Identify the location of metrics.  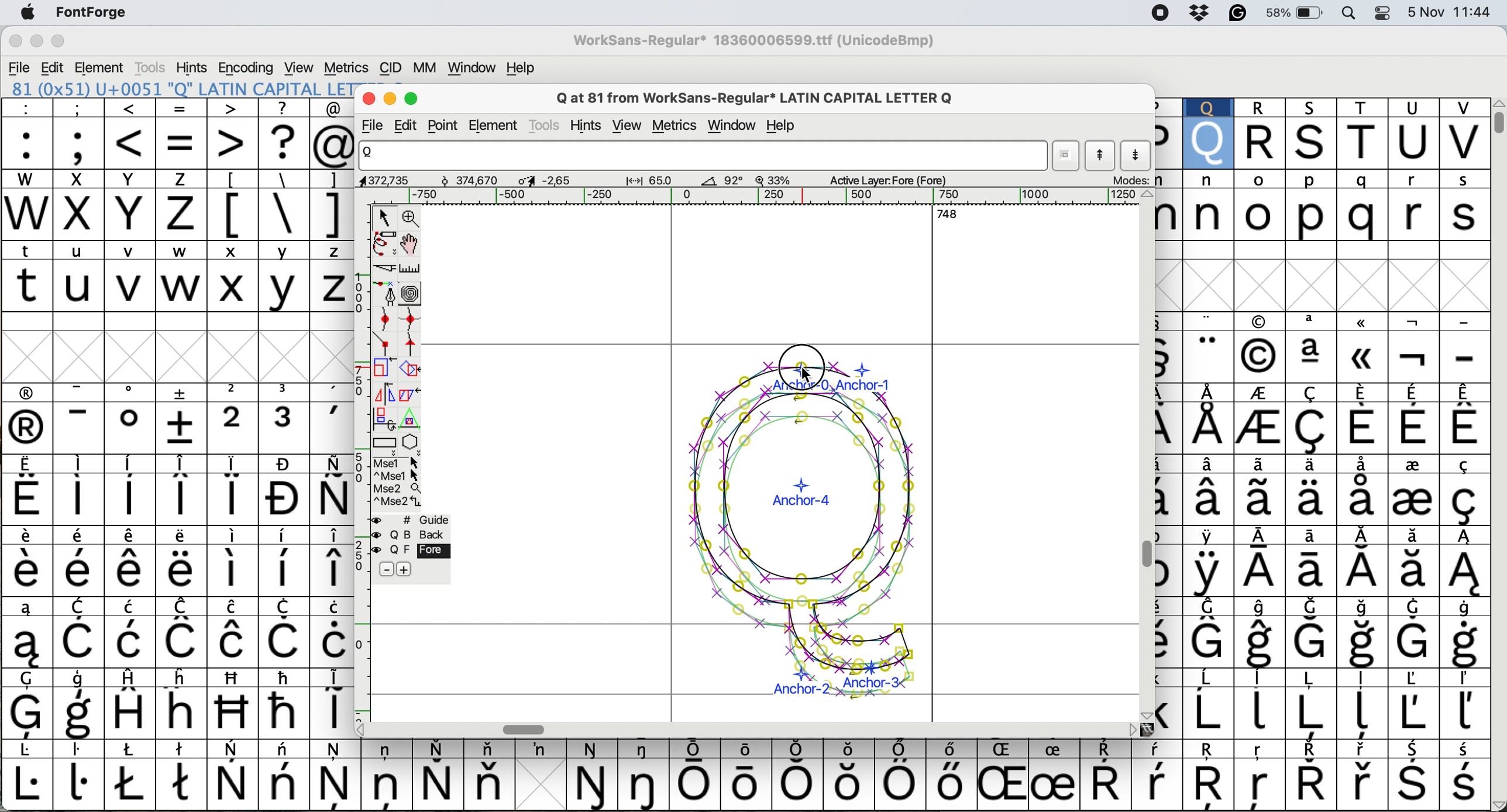
(347, 67).